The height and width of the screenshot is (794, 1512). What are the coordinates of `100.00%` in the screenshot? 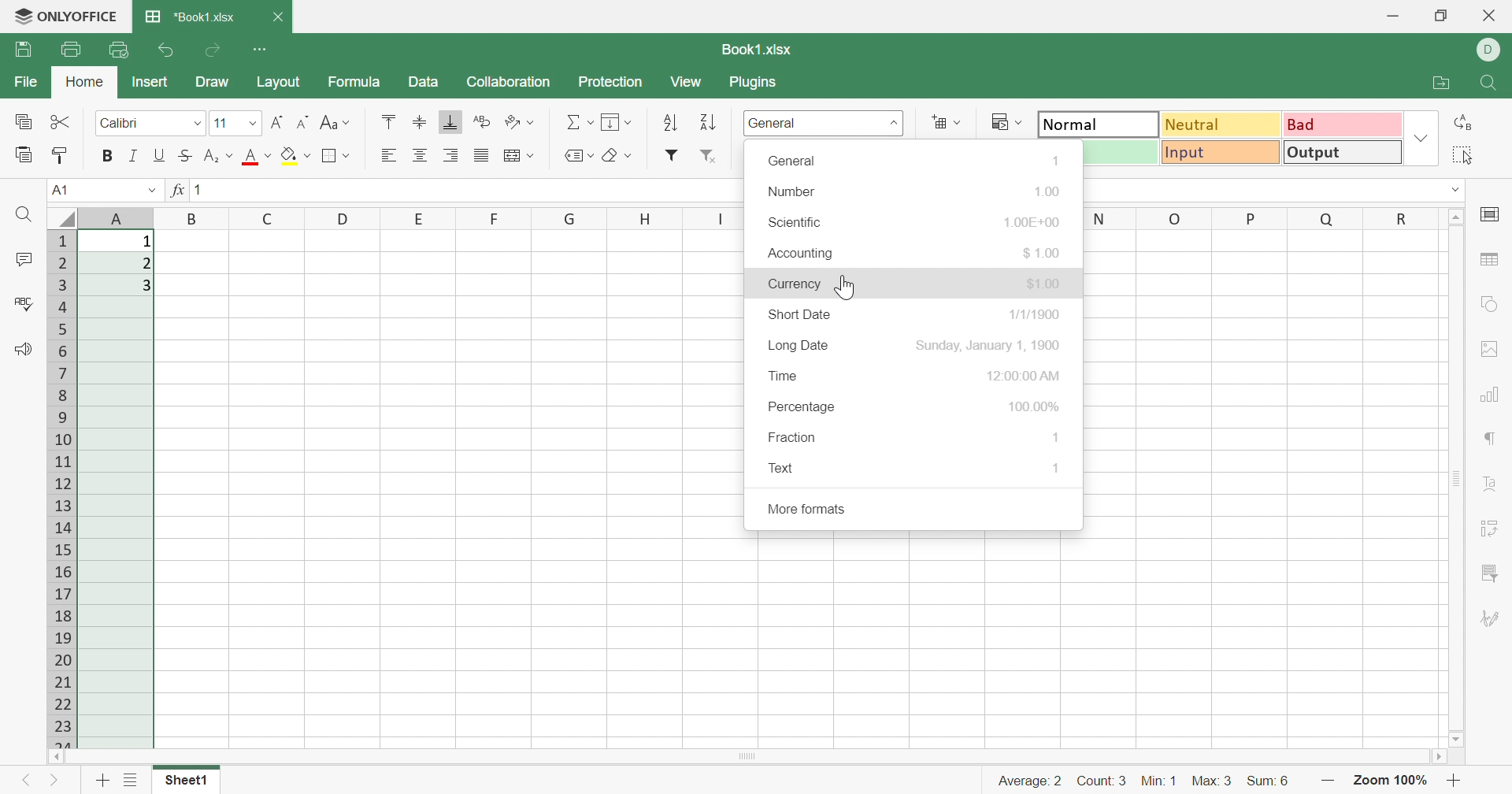 It's located at (1034, 406).